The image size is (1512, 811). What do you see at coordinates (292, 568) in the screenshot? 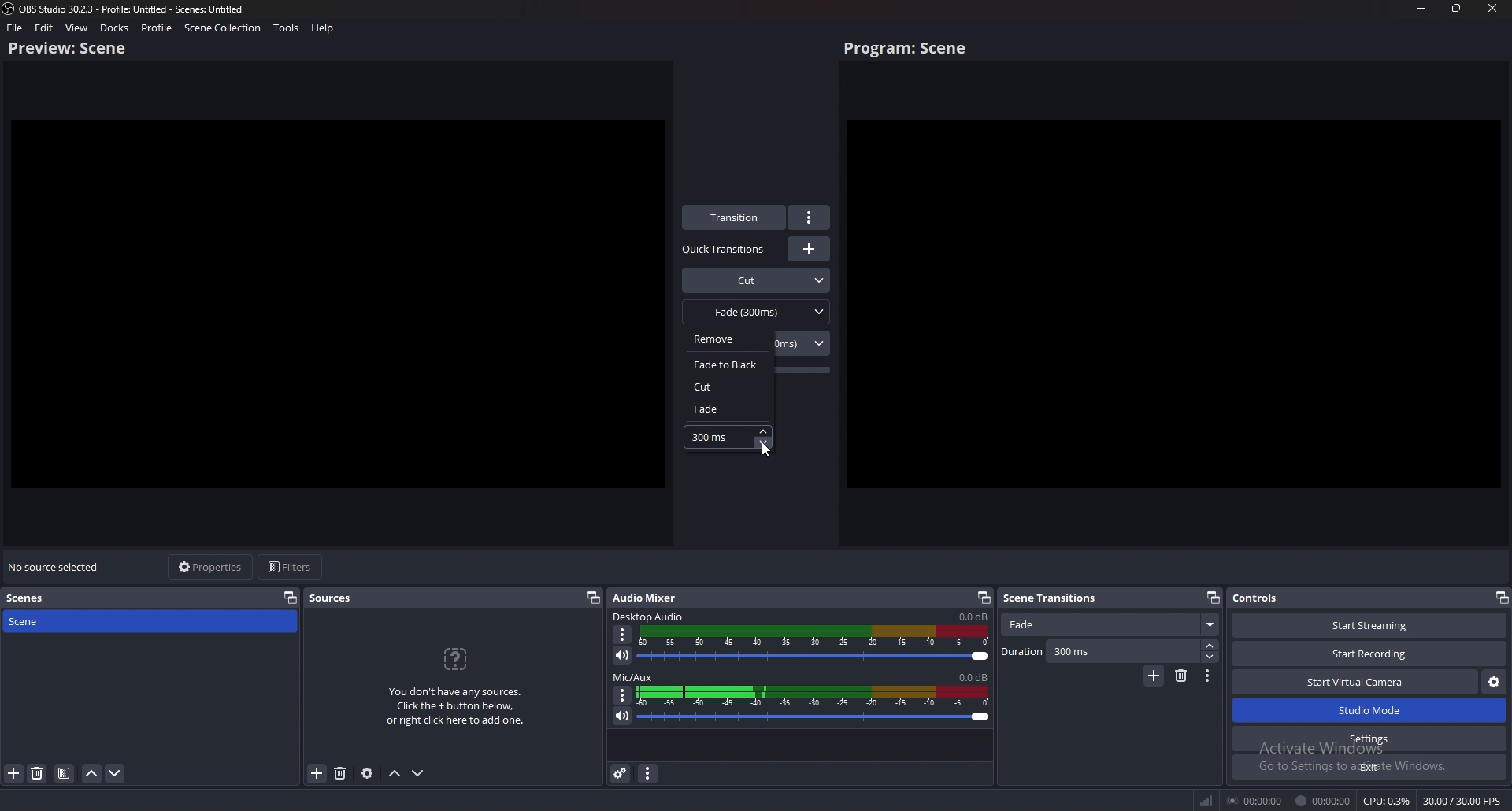
I see `filters` at bounding box center [292, 568].